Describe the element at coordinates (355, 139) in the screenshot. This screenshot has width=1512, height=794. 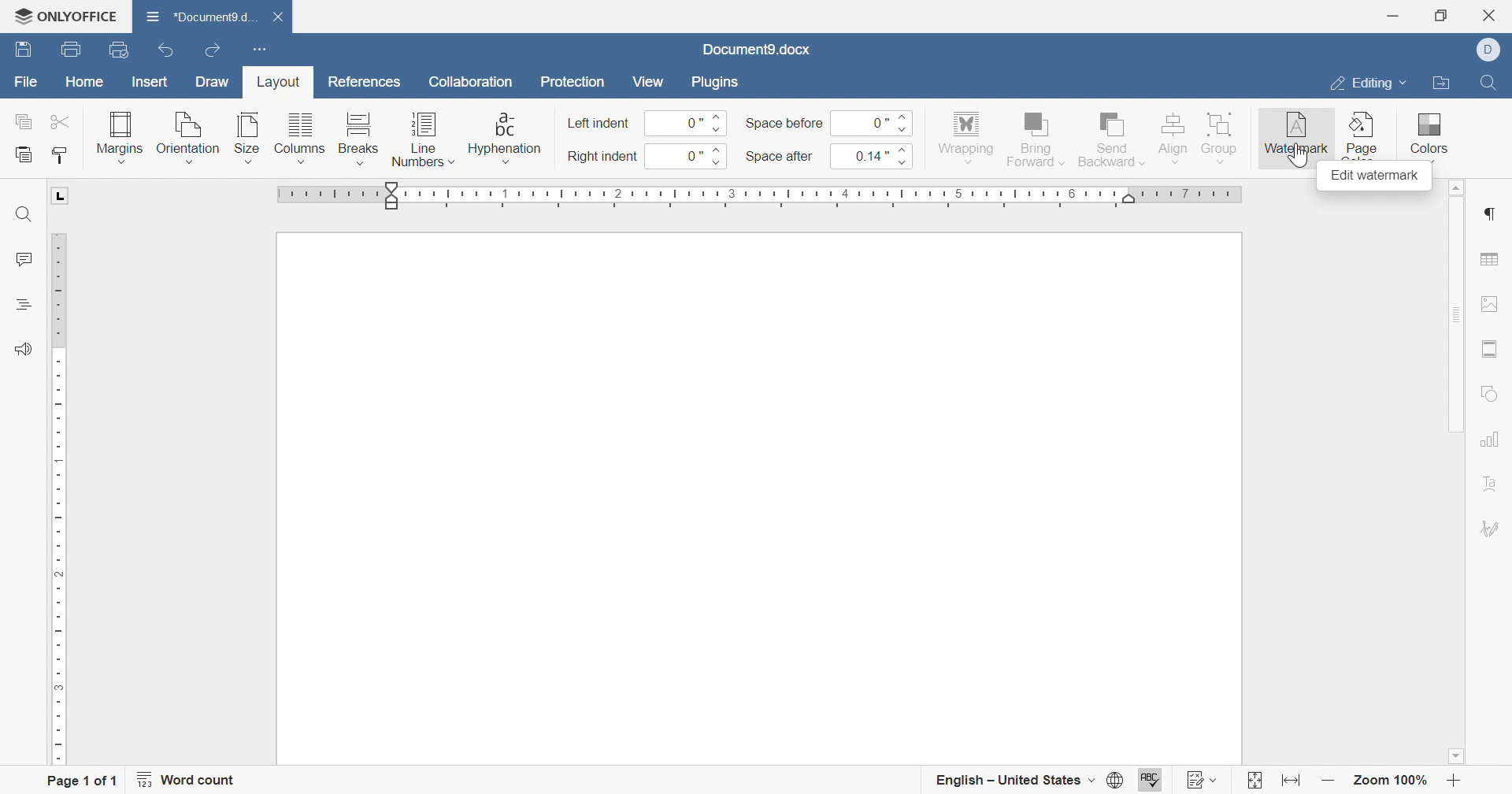
I see `breaks` at that location.